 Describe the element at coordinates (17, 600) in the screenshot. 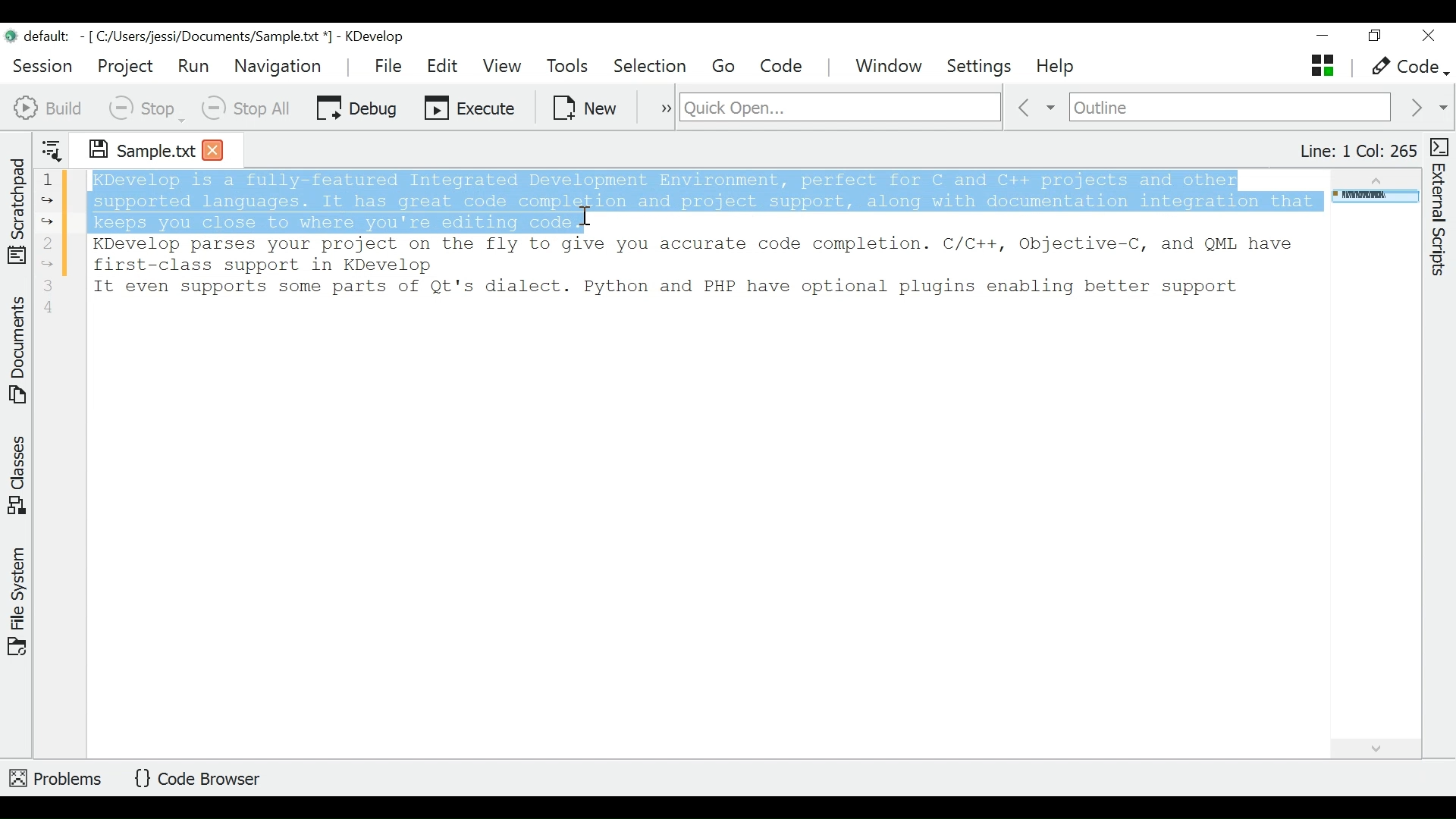

I see `File System` at that location.